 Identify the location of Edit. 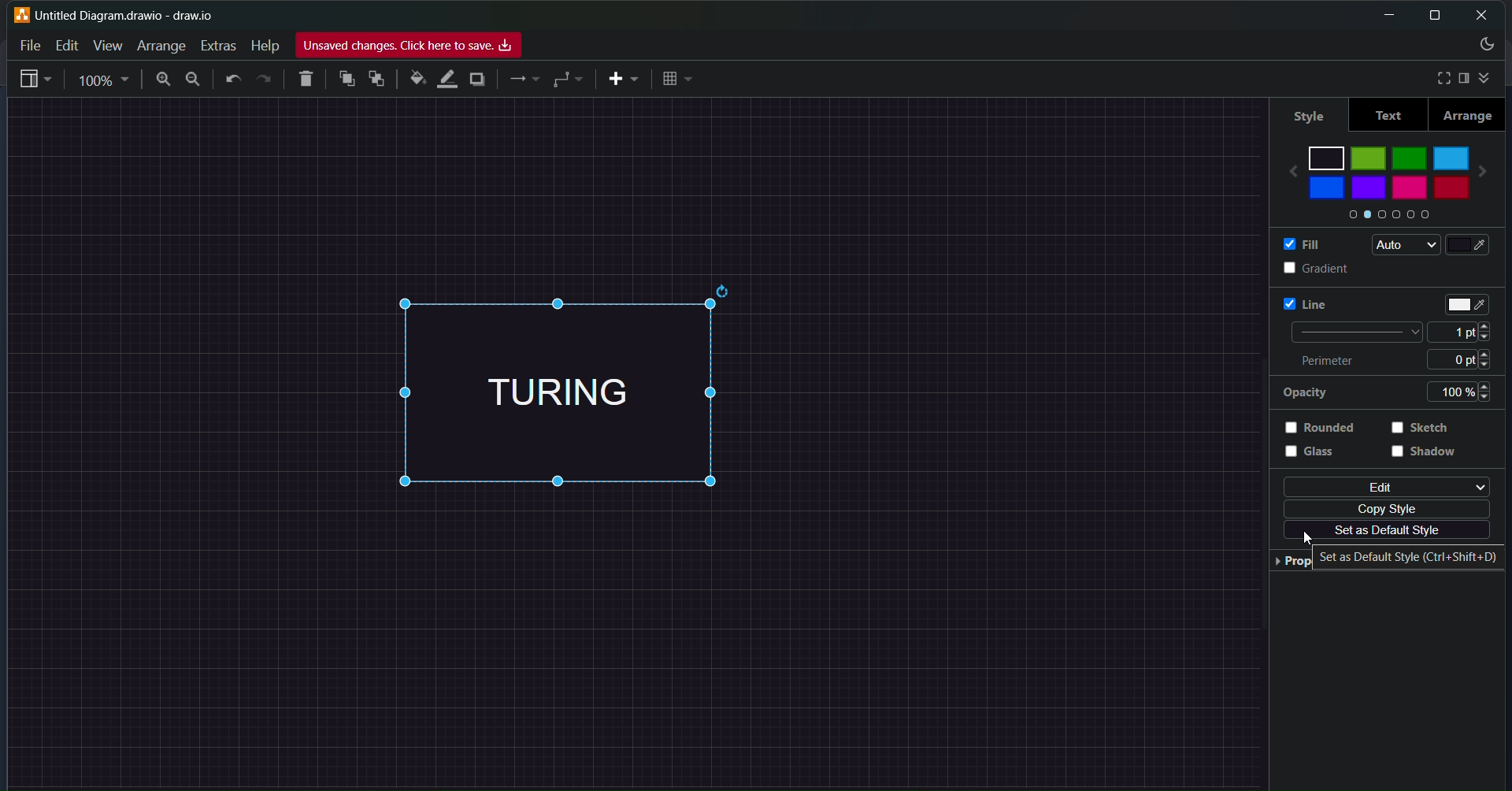
(63, 45).